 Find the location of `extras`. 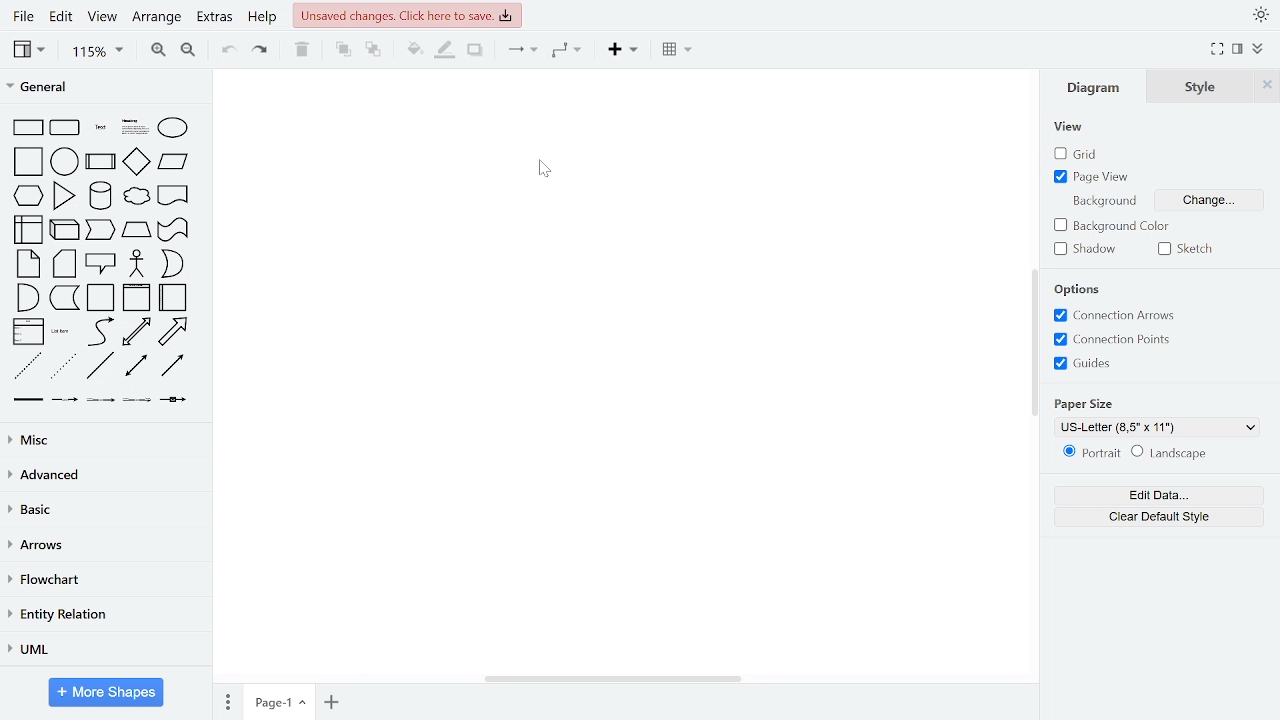

extras is located at coordinates (217, 17).